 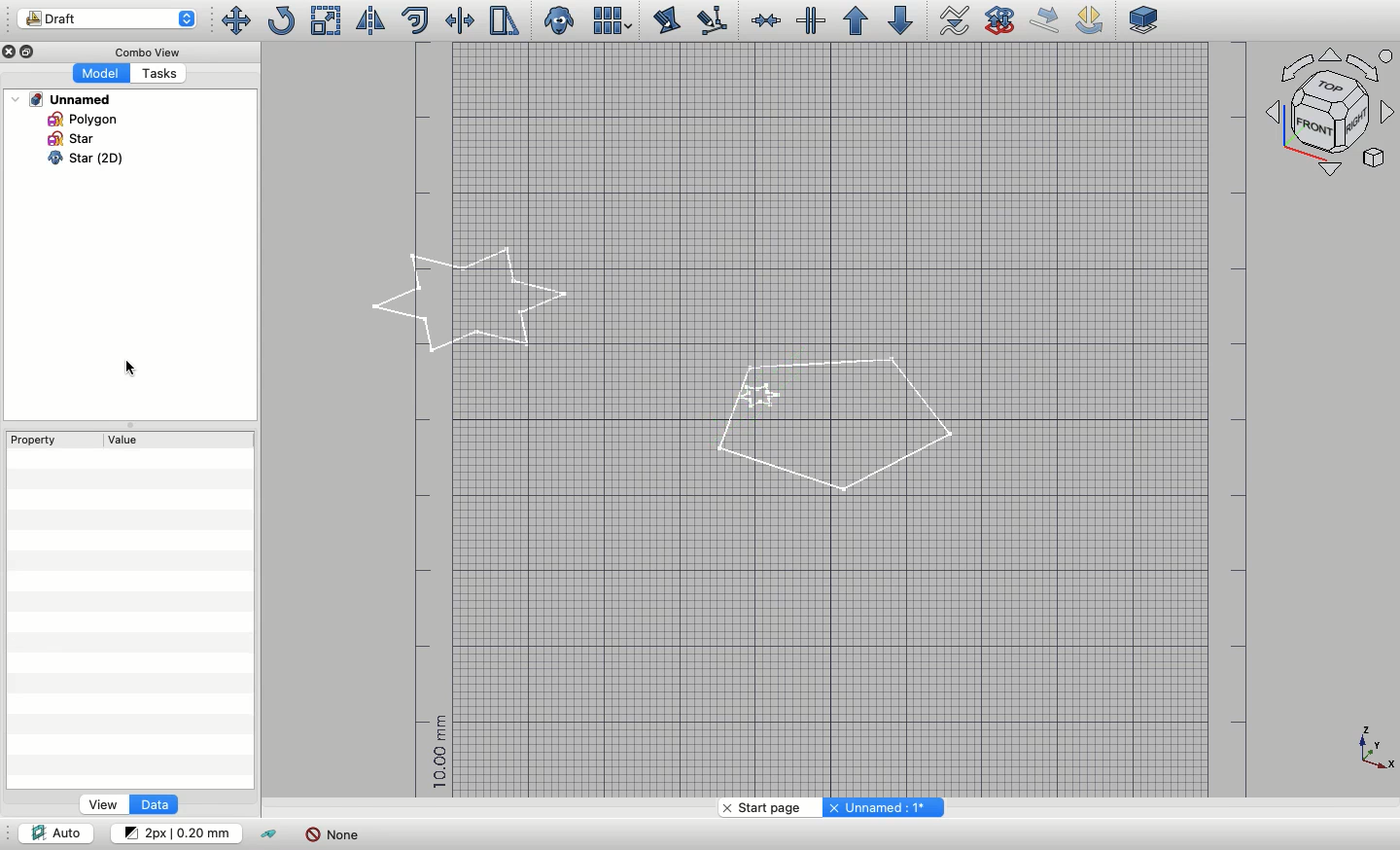 What do you see at coordinates (99, 74) in the screenshot?
I see `Model` at bounding box center [99, 74].